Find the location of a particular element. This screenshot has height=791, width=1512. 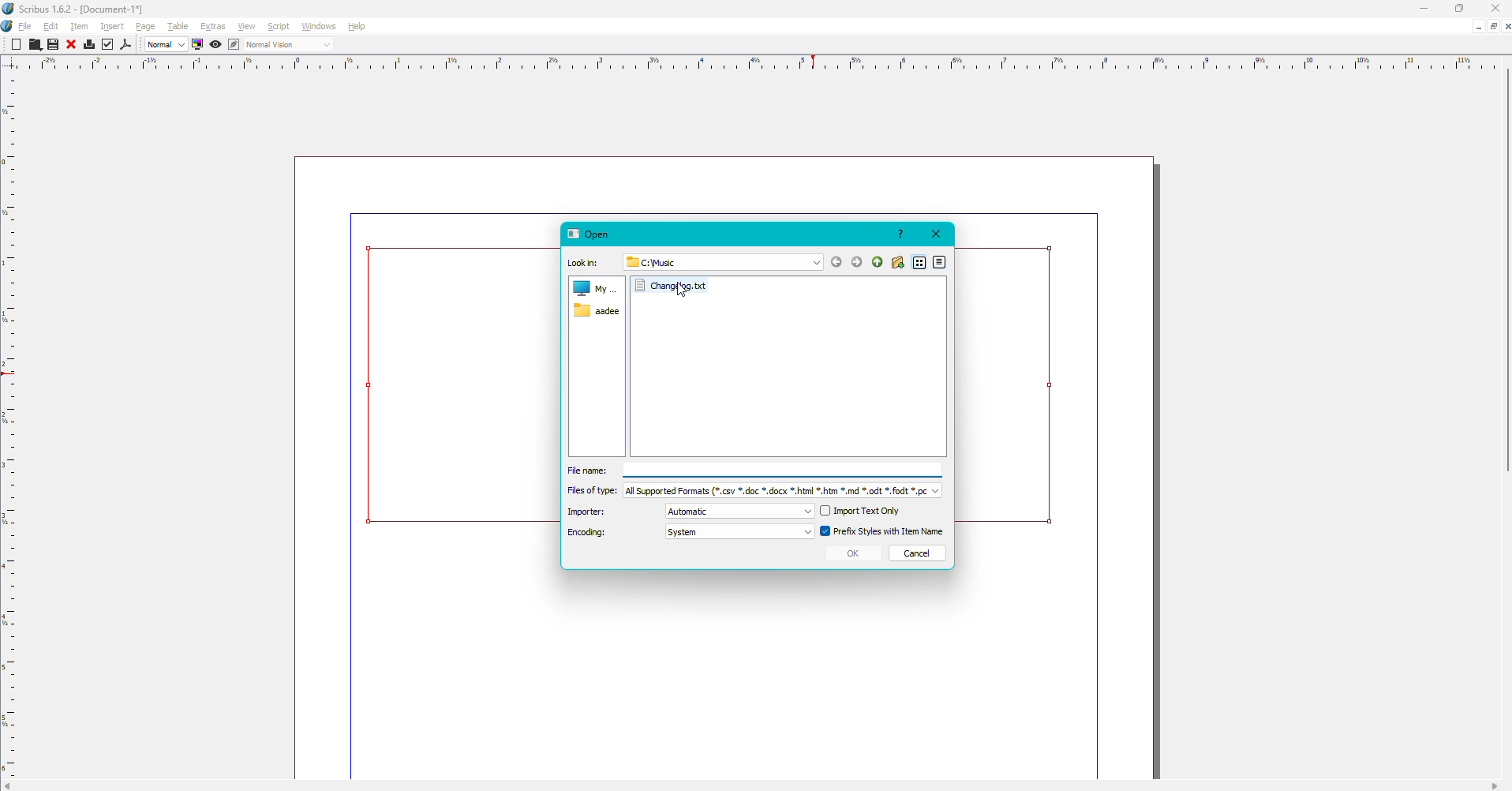

cursor is located at coordinates (681, 287).